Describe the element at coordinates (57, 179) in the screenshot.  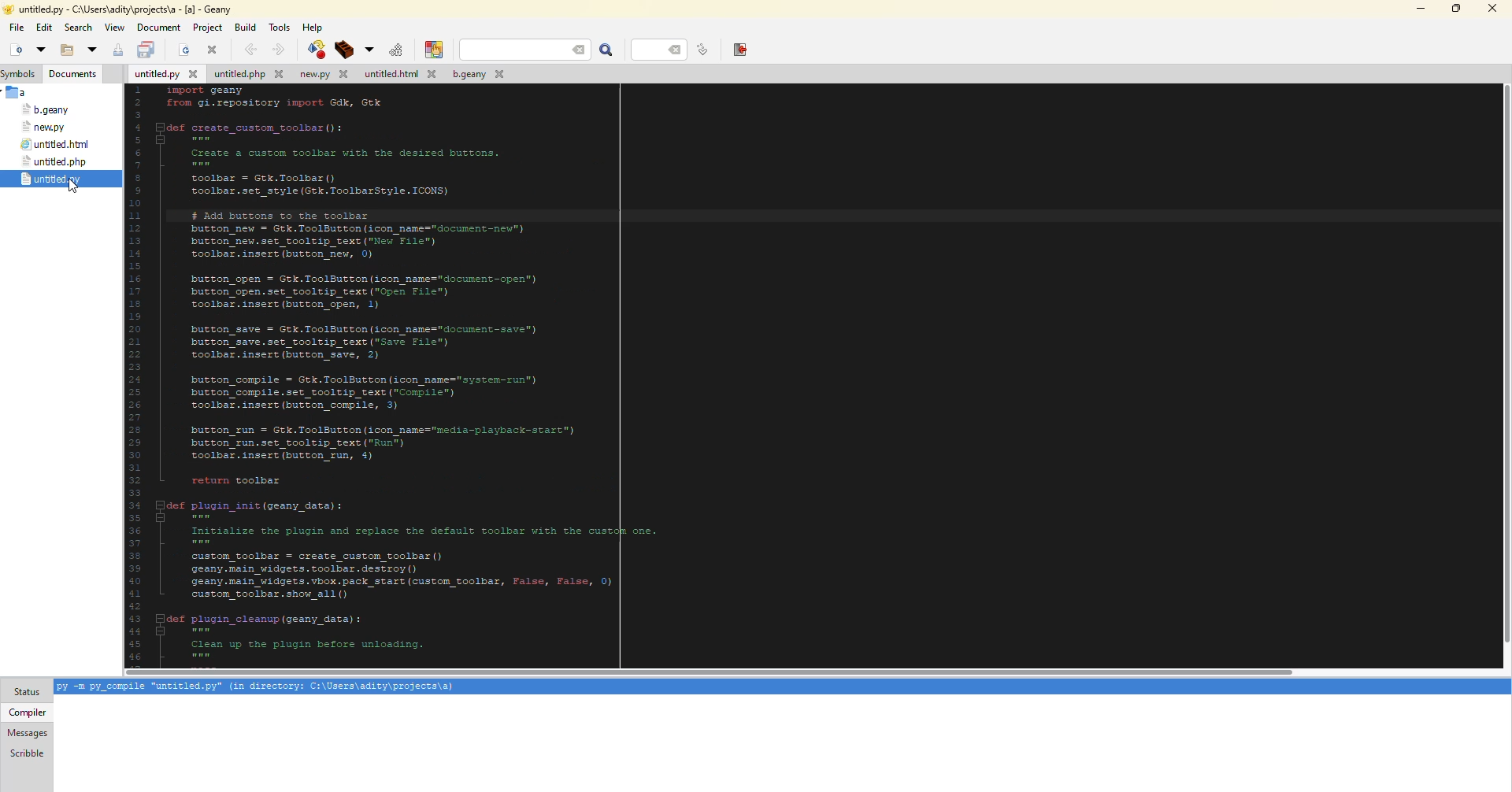
I see `file viewed simultaneously` at that location.